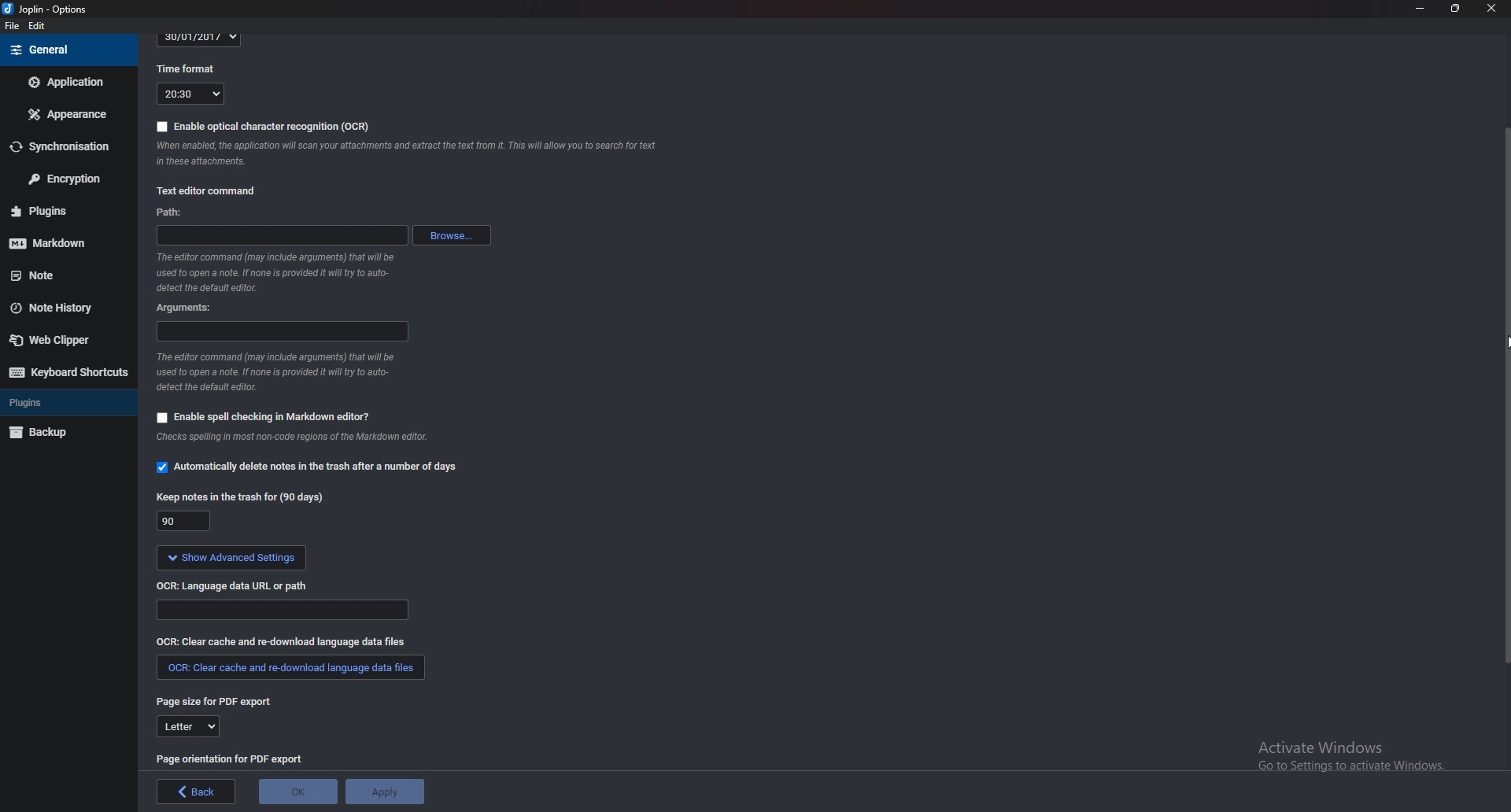 This screenshot has height=812, width=1511. Describe the element at coordinates (1350, 764) in the screenshot. I see `activate windows` at that location.